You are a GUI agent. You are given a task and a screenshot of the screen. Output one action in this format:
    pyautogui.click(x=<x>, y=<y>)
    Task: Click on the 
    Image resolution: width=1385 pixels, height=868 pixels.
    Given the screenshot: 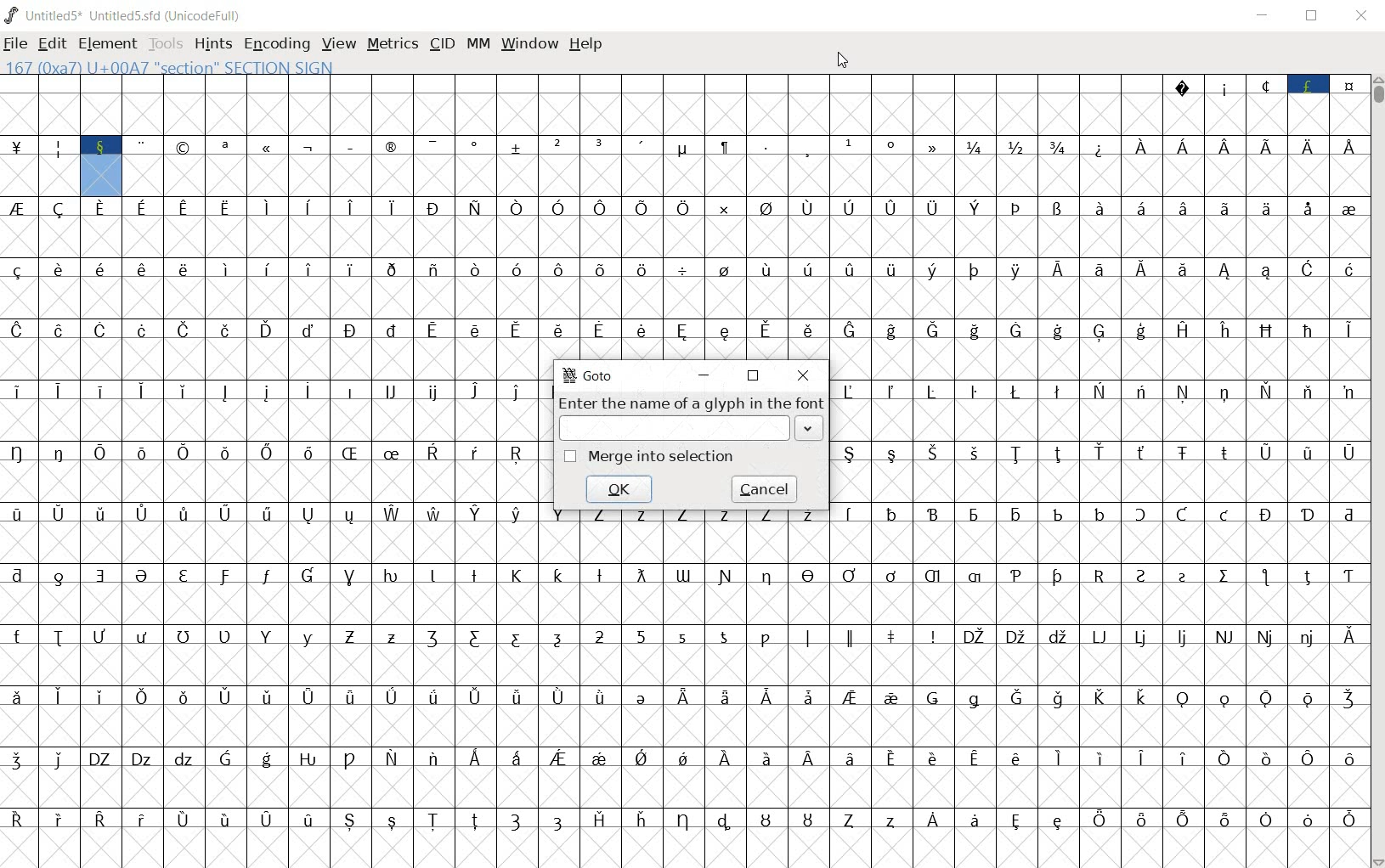 What is the action you would take?
    pyautogui.click(x=392, y=533)
    